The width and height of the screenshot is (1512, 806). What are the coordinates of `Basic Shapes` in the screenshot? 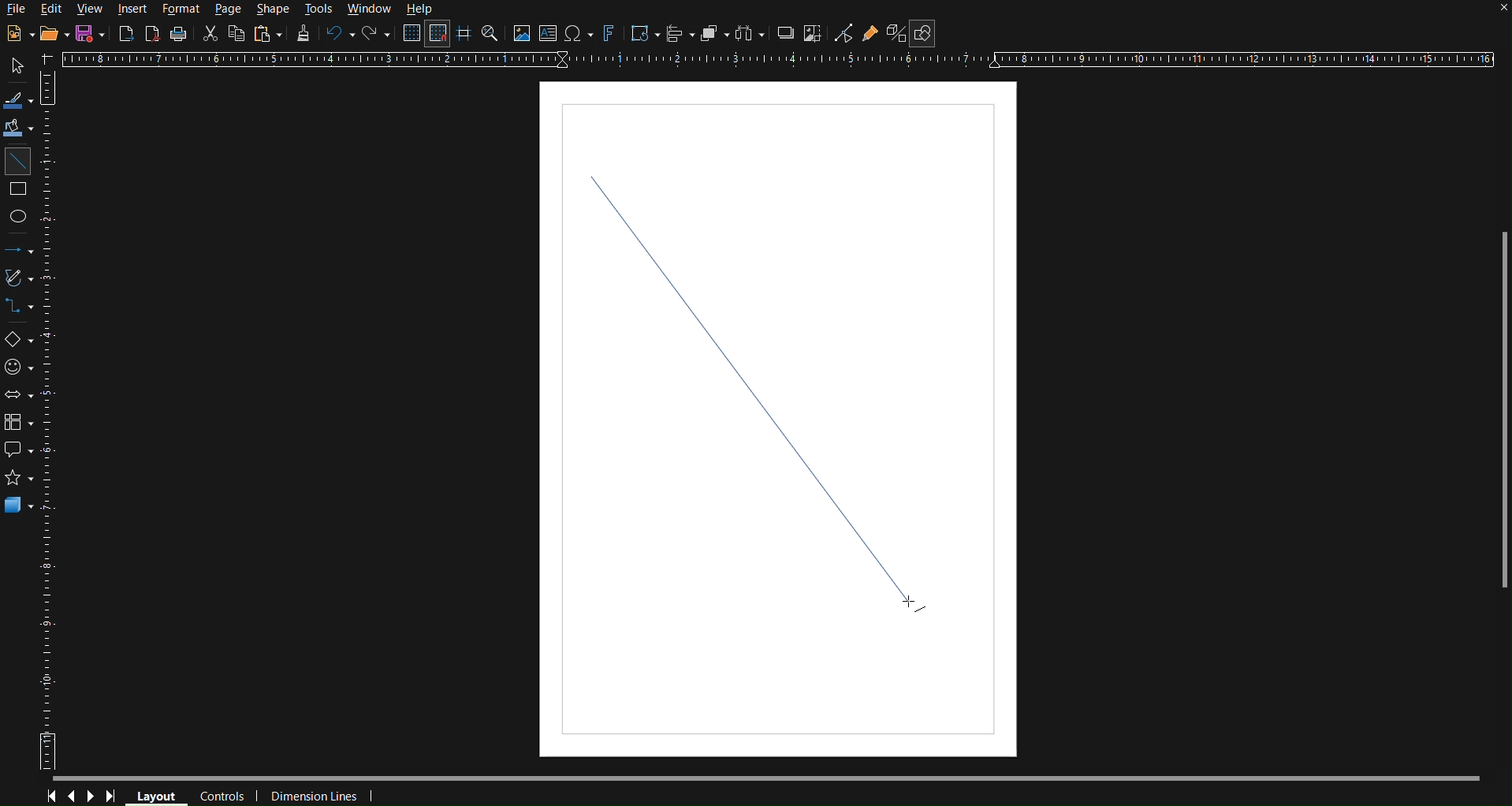 It's located at (20, 339).